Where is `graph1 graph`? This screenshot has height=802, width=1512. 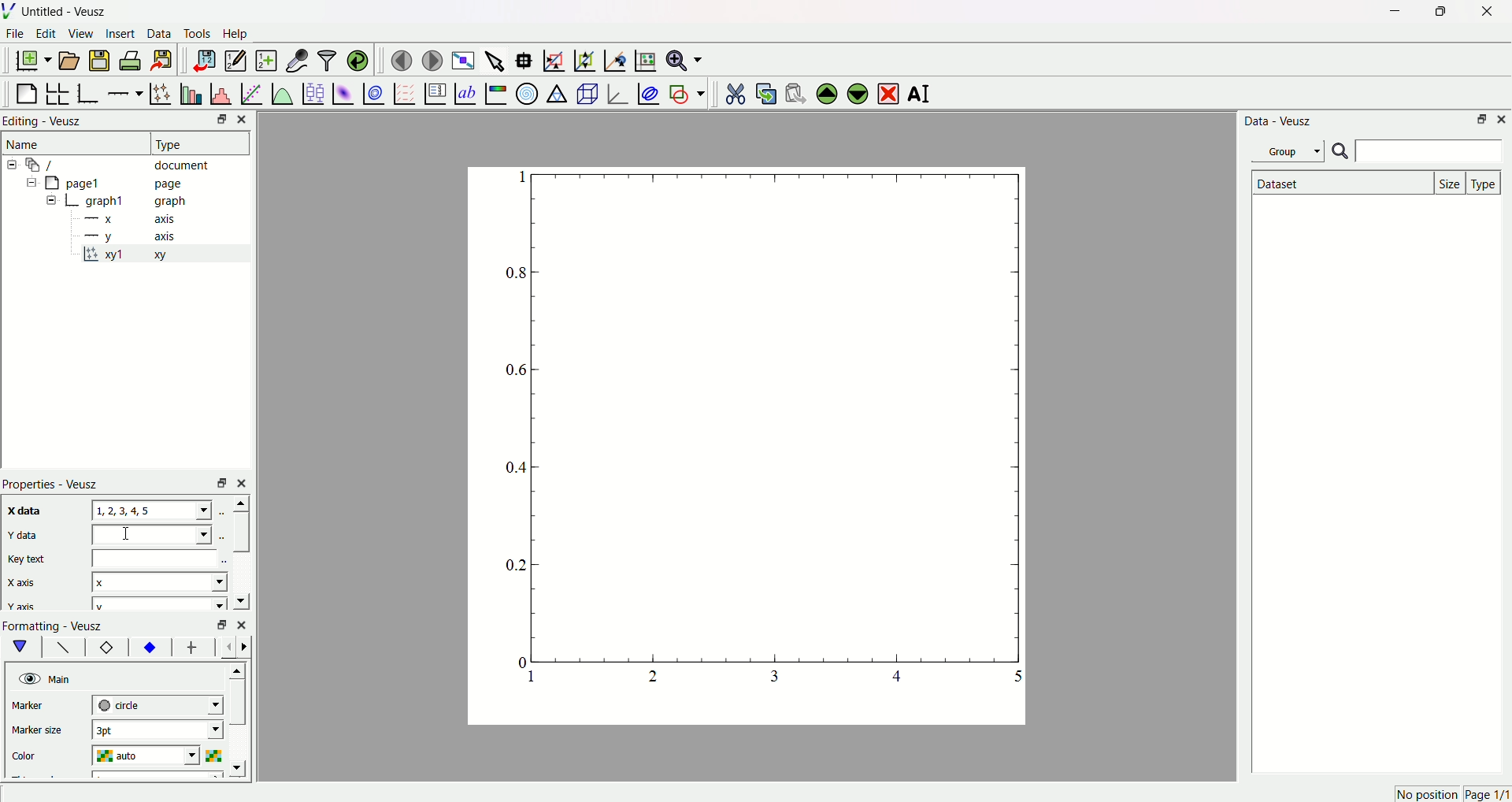 graph1 graph is located at coordinates (137, 202).